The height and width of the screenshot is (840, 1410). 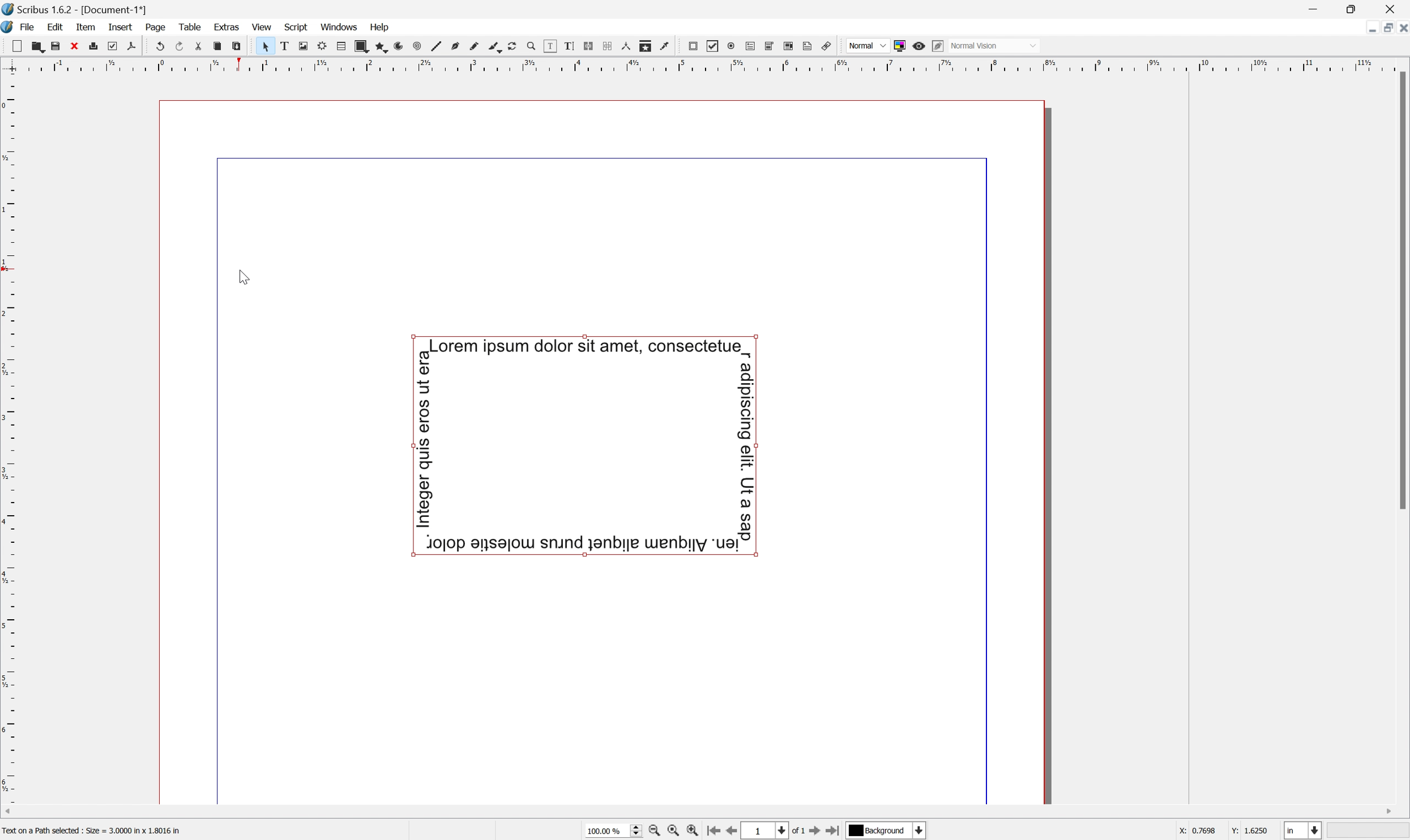 I want to click on Unlink text frames, so click(x=607, y=45).